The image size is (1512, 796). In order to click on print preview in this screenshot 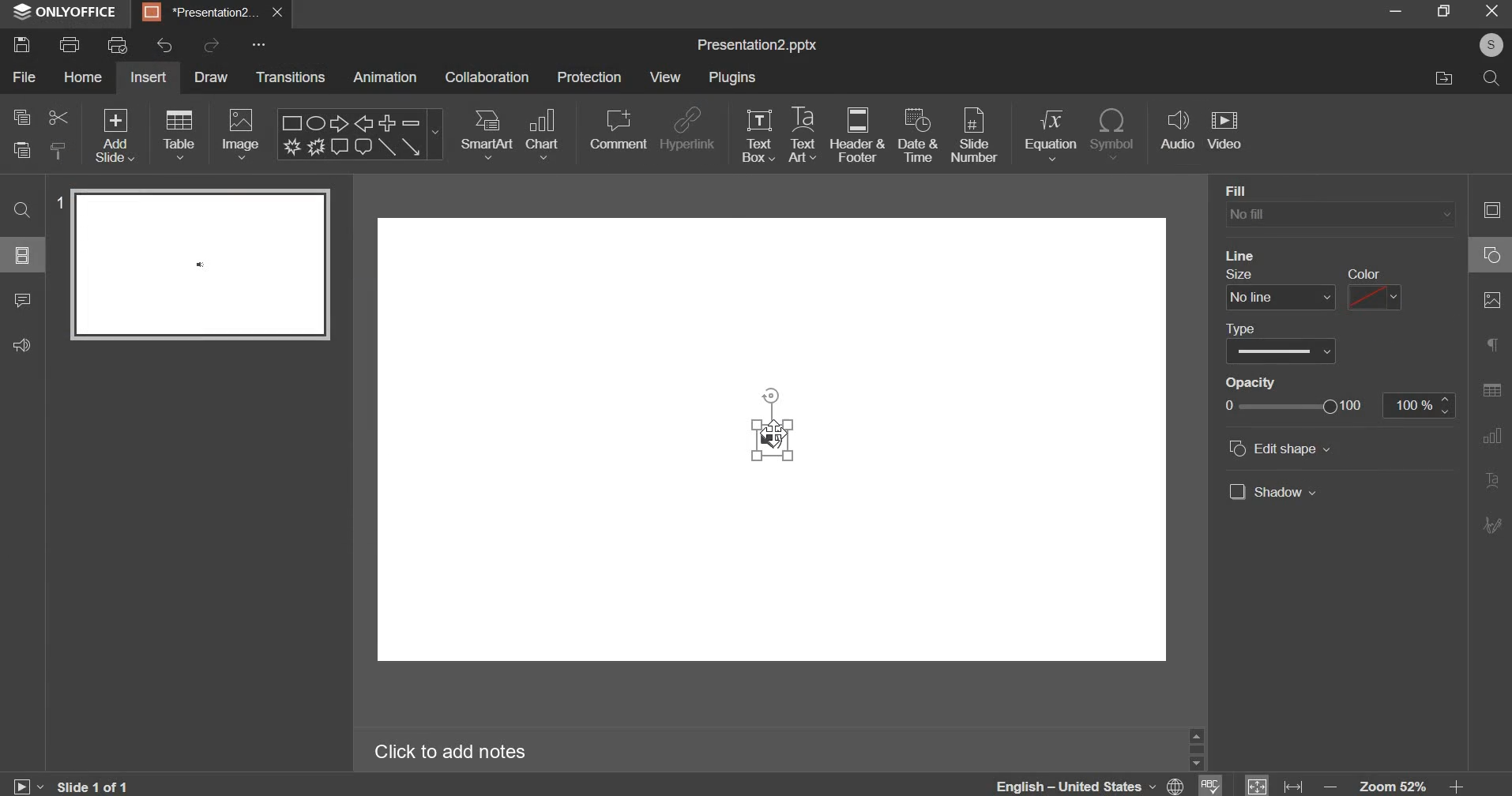, I will do `click(119, 44)`.